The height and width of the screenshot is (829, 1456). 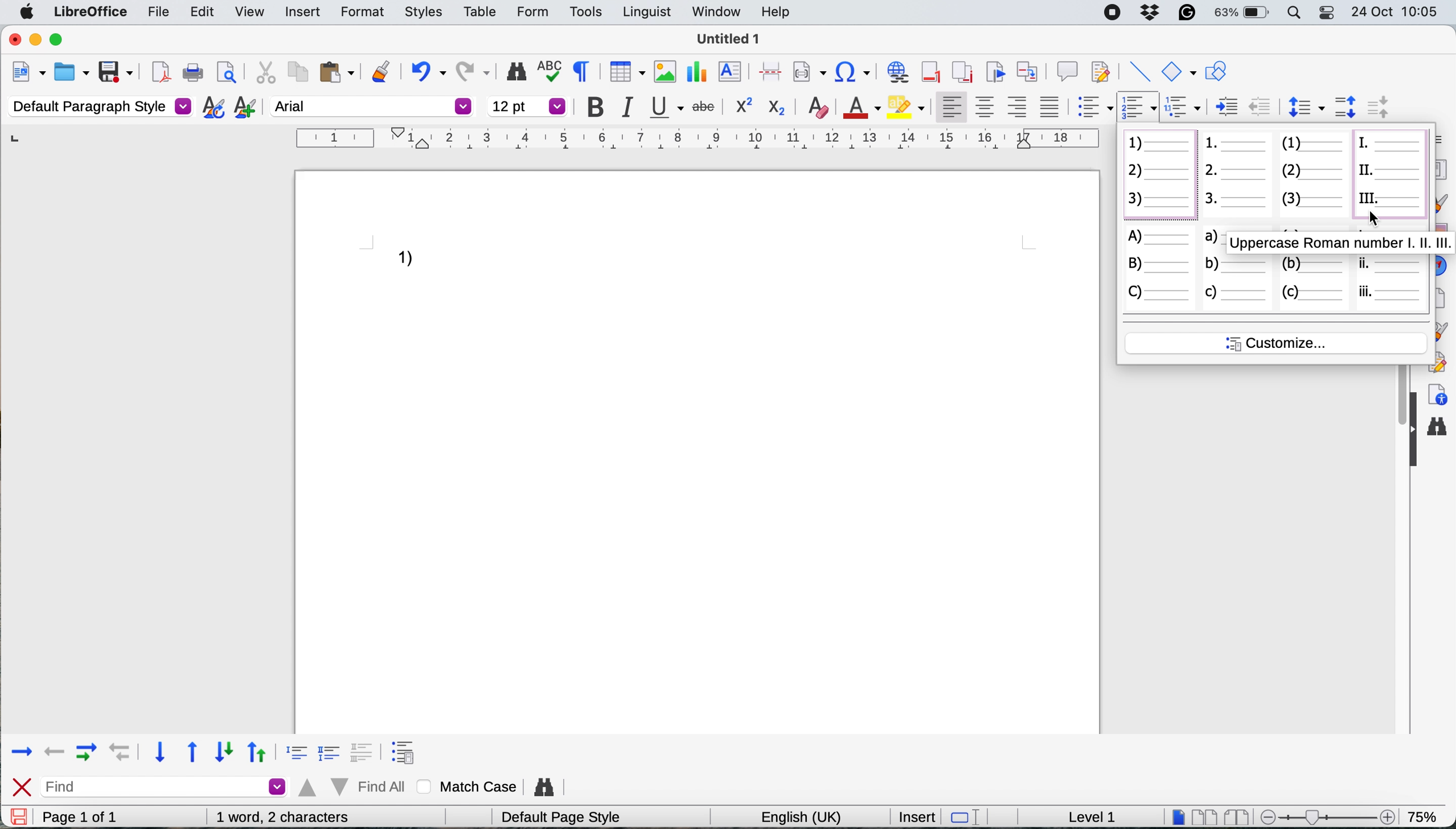 What do you see at coordinates (1093, 816) in the screenshot?
I see `level 1` at bounding box center [1093, 816].